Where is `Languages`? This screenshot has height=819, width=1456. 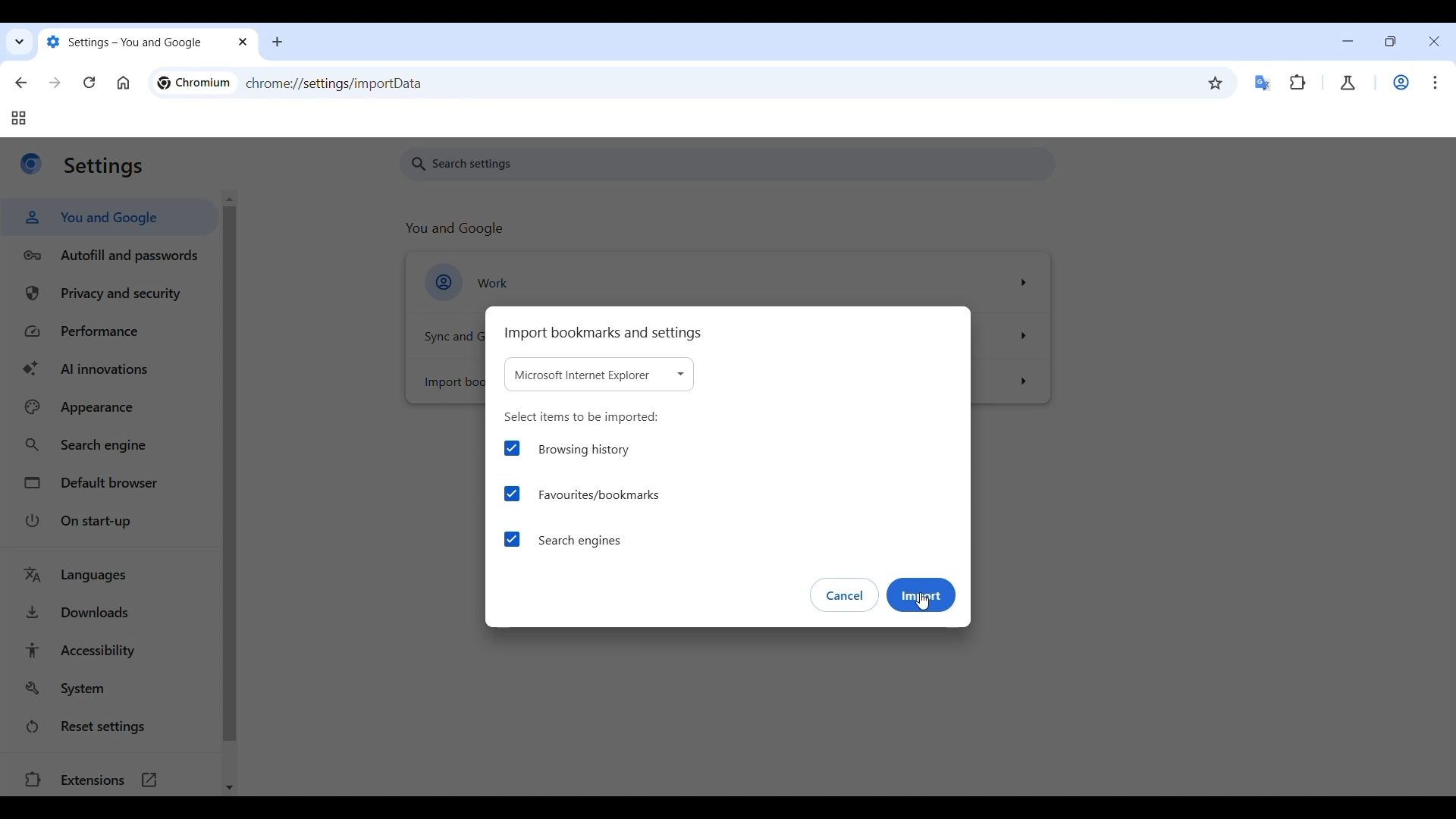
Languages is located at coordinates (110, 576).